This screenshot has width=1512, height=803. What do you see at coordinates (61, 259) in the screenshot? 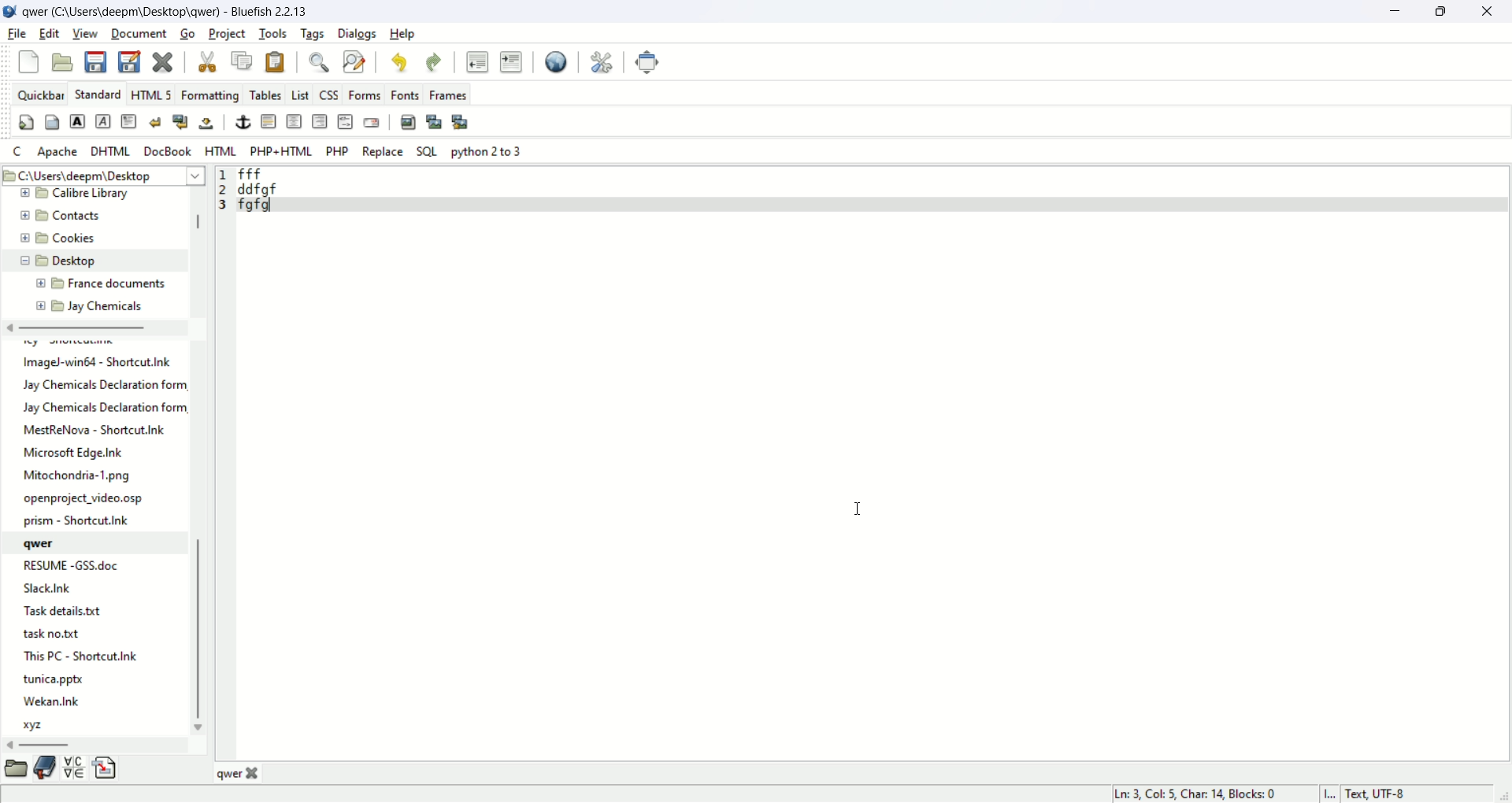
I see `desktop` at bounding box center [61, 259].